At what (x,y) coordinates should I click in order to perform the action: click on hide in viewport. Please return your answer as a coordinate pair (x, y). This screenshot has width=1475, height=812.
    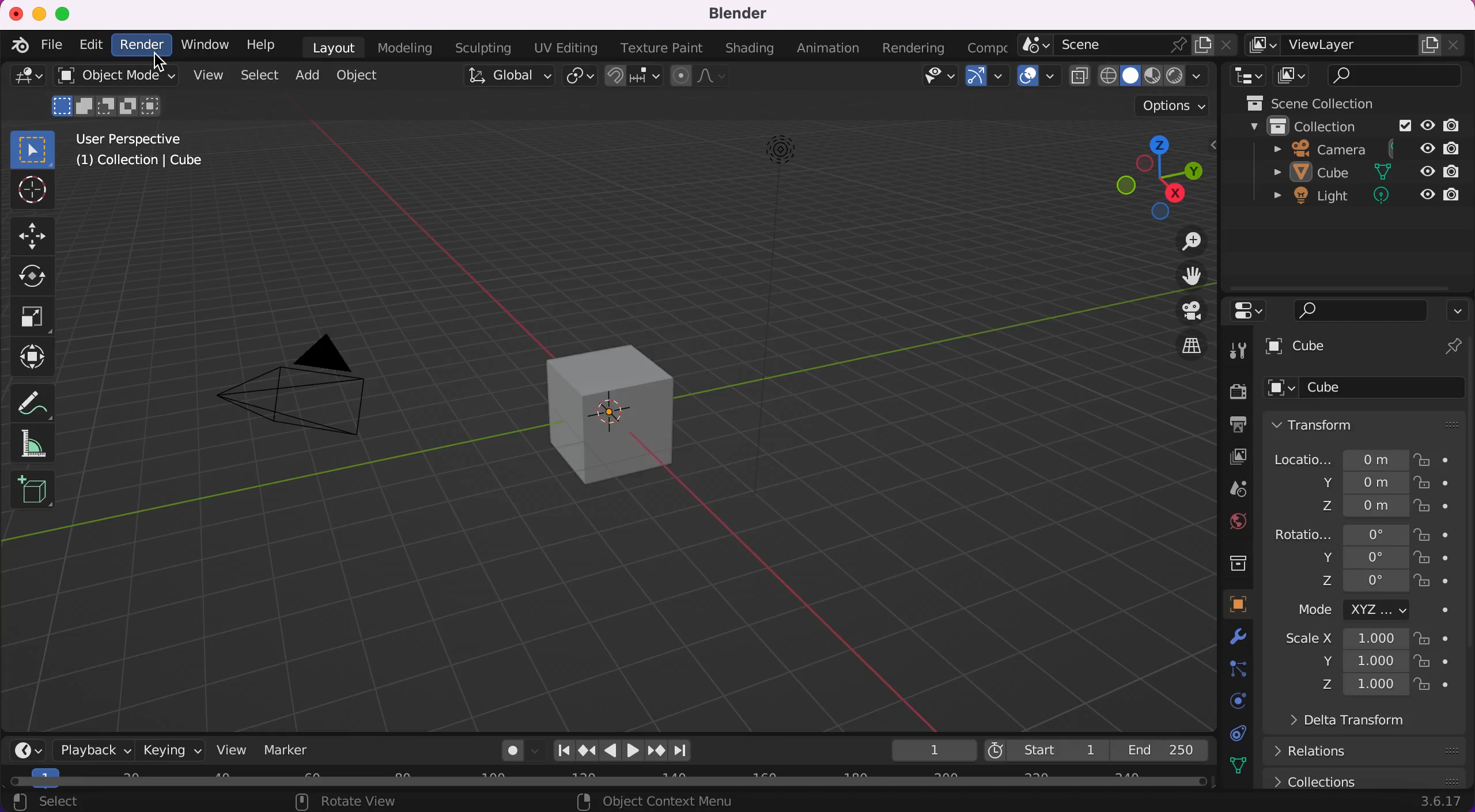
    Looking at the image, I should click on (1425, 170).